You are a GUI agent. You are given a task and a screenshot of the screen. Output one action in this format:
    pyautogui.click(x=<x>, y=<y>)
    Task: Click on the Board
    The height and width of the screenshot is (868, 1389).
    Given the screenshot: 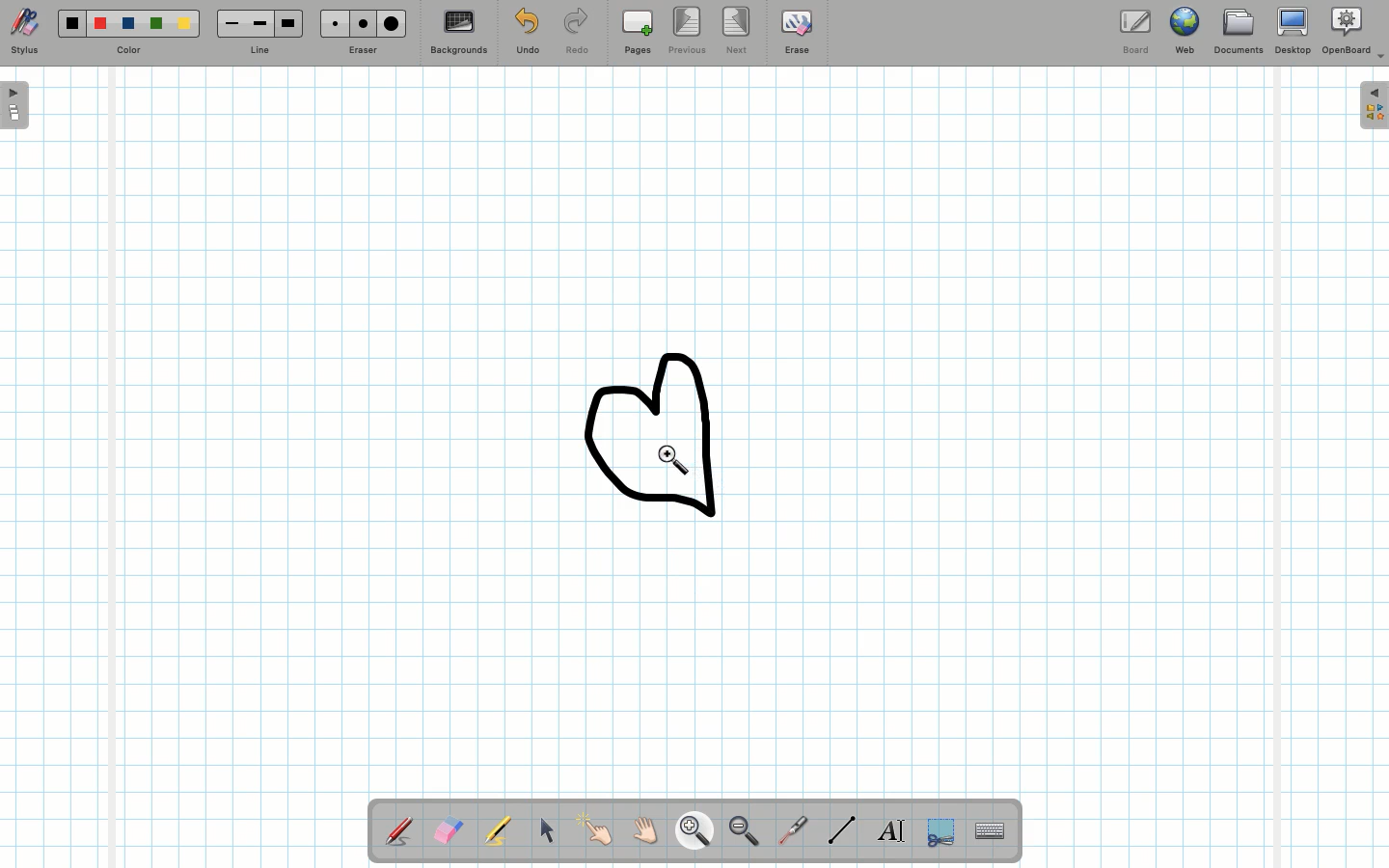 What is the action you would take?
    pyautogui.click(x=1139, y=30)
    